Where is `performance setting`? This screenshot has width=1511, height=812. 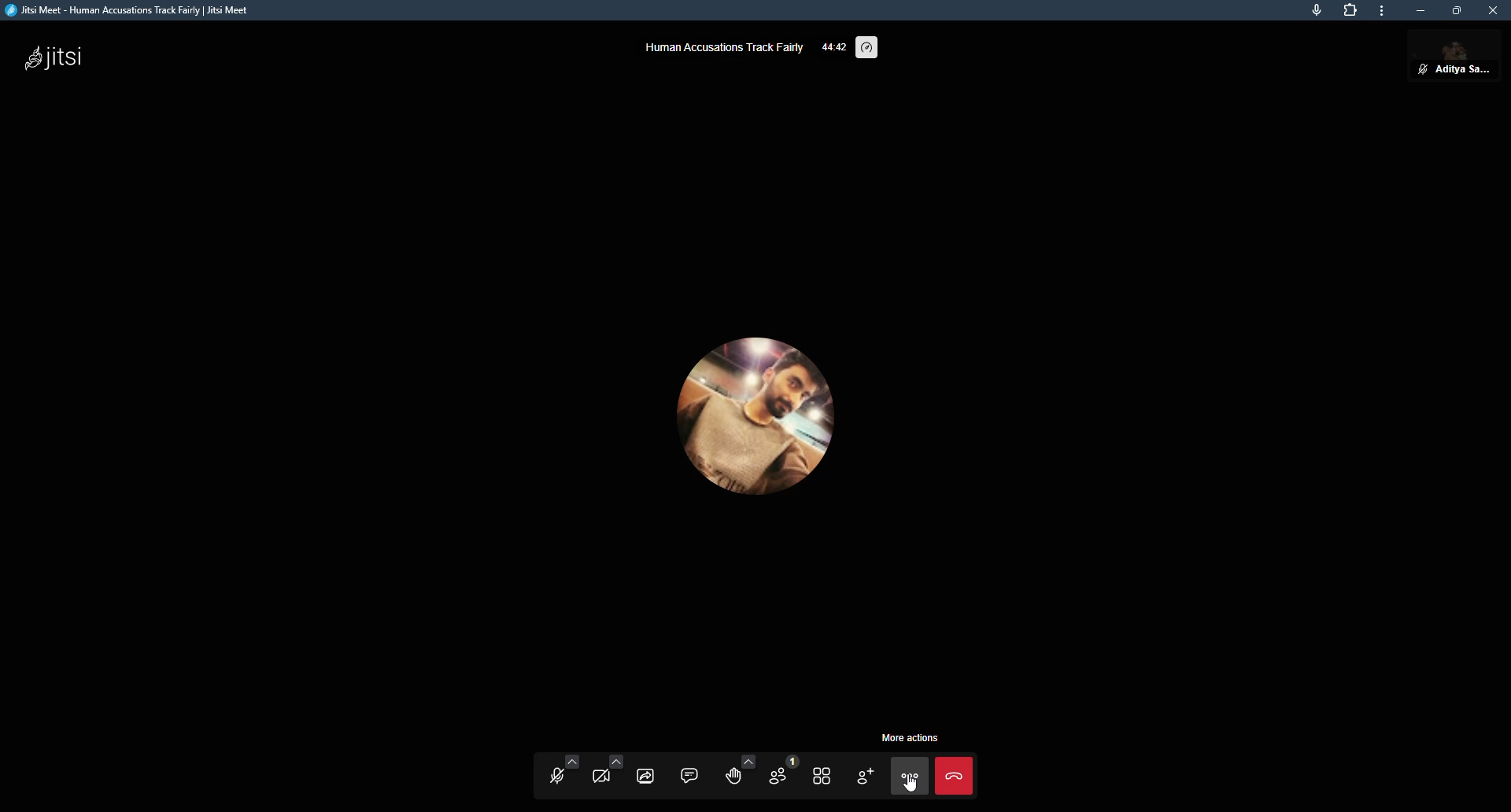 performance setting is located at coordinates (870, 48).